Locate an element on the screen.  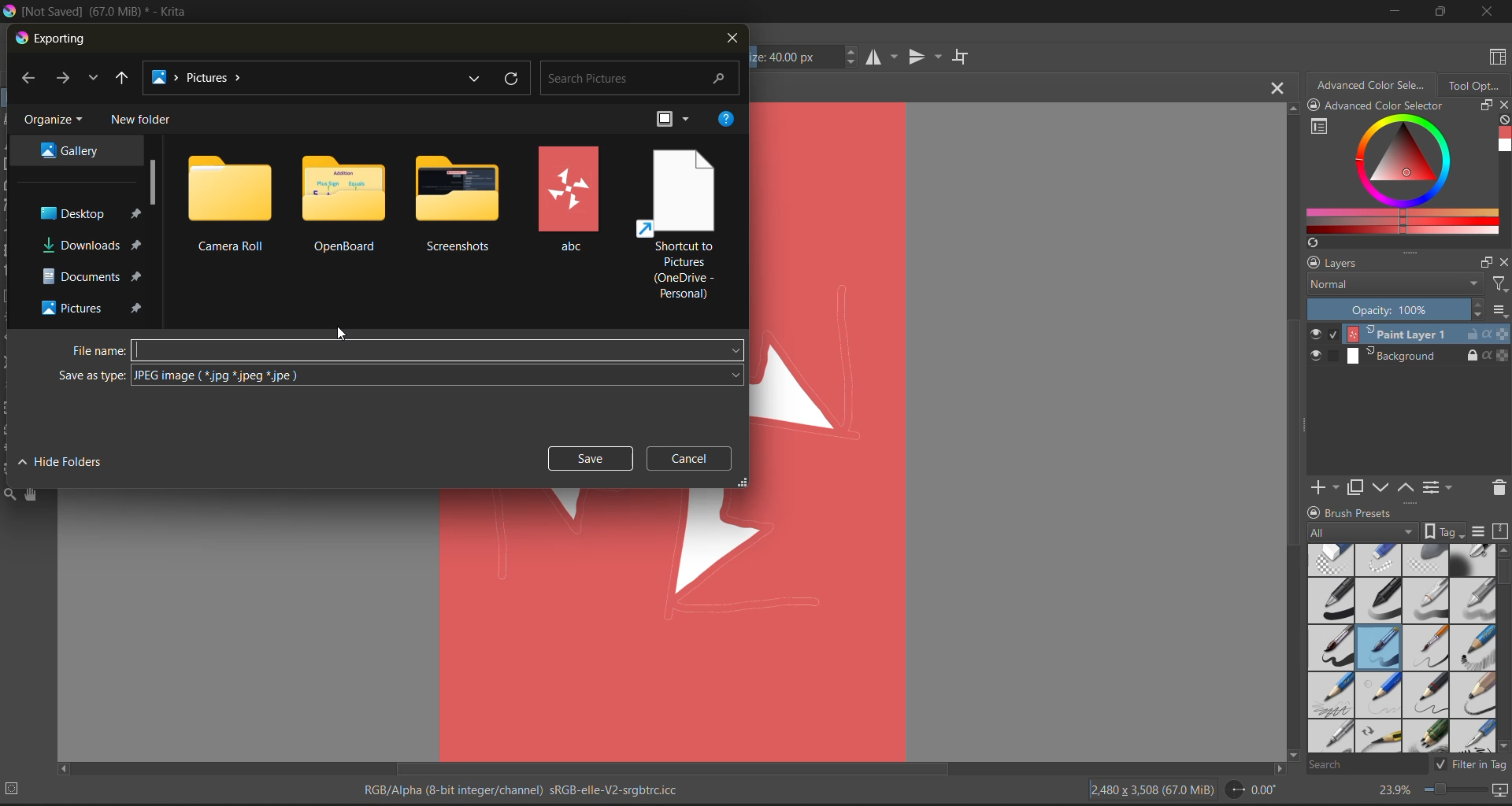
add is located at coordinates (1329, 486).